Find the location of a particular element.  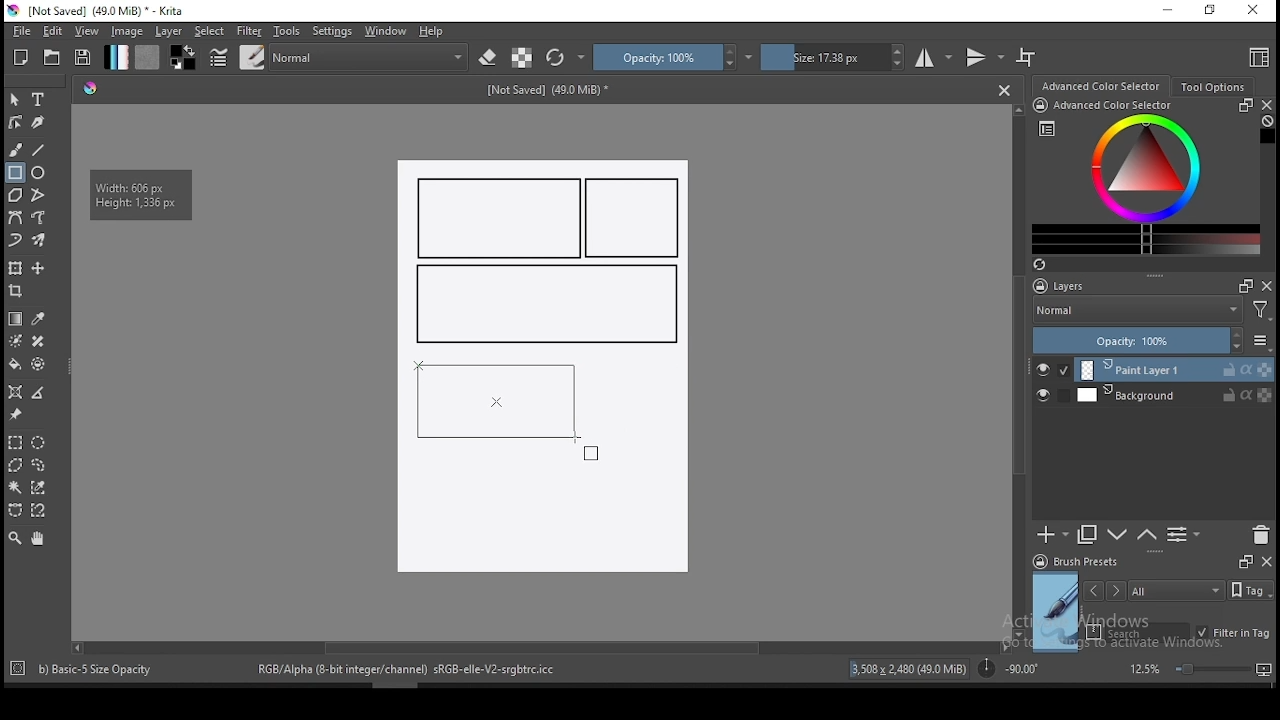

new rectangle is located at coordinates (636, 219).